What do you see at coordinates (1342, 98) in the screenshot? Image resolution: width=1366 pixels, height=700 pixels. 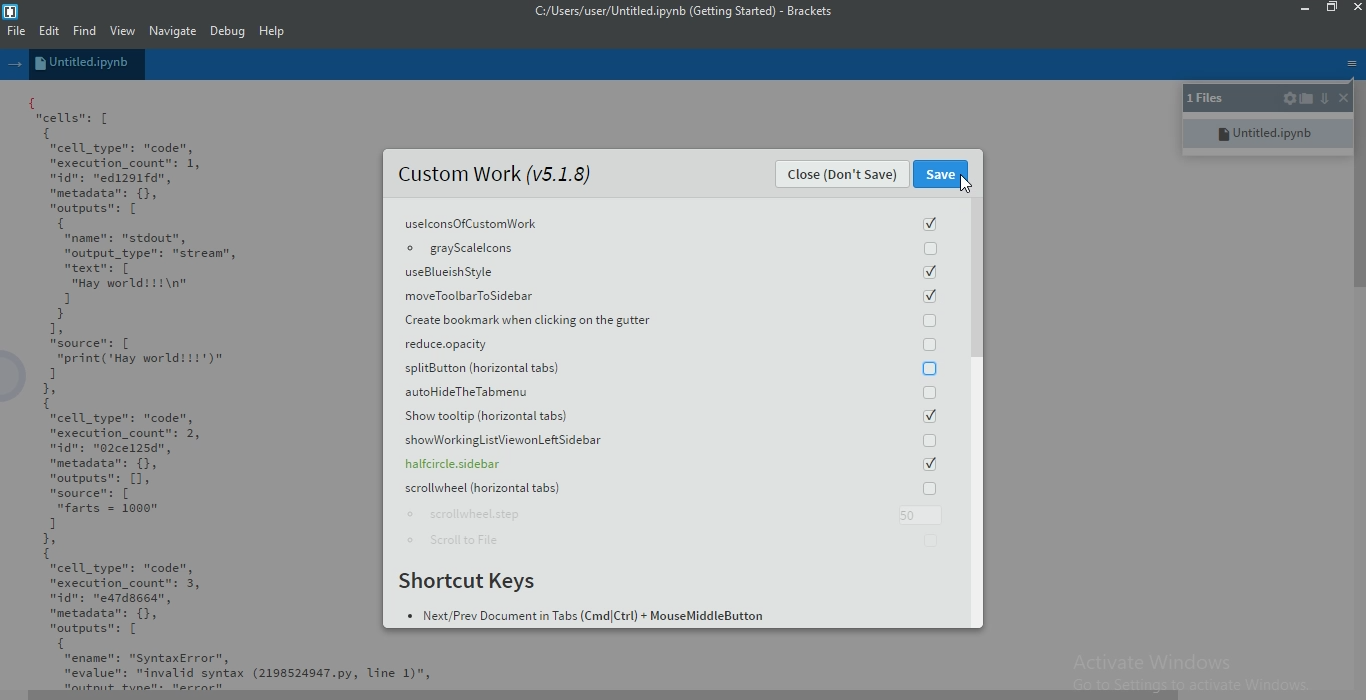 I see `close` at bounding box center [1342, 98].